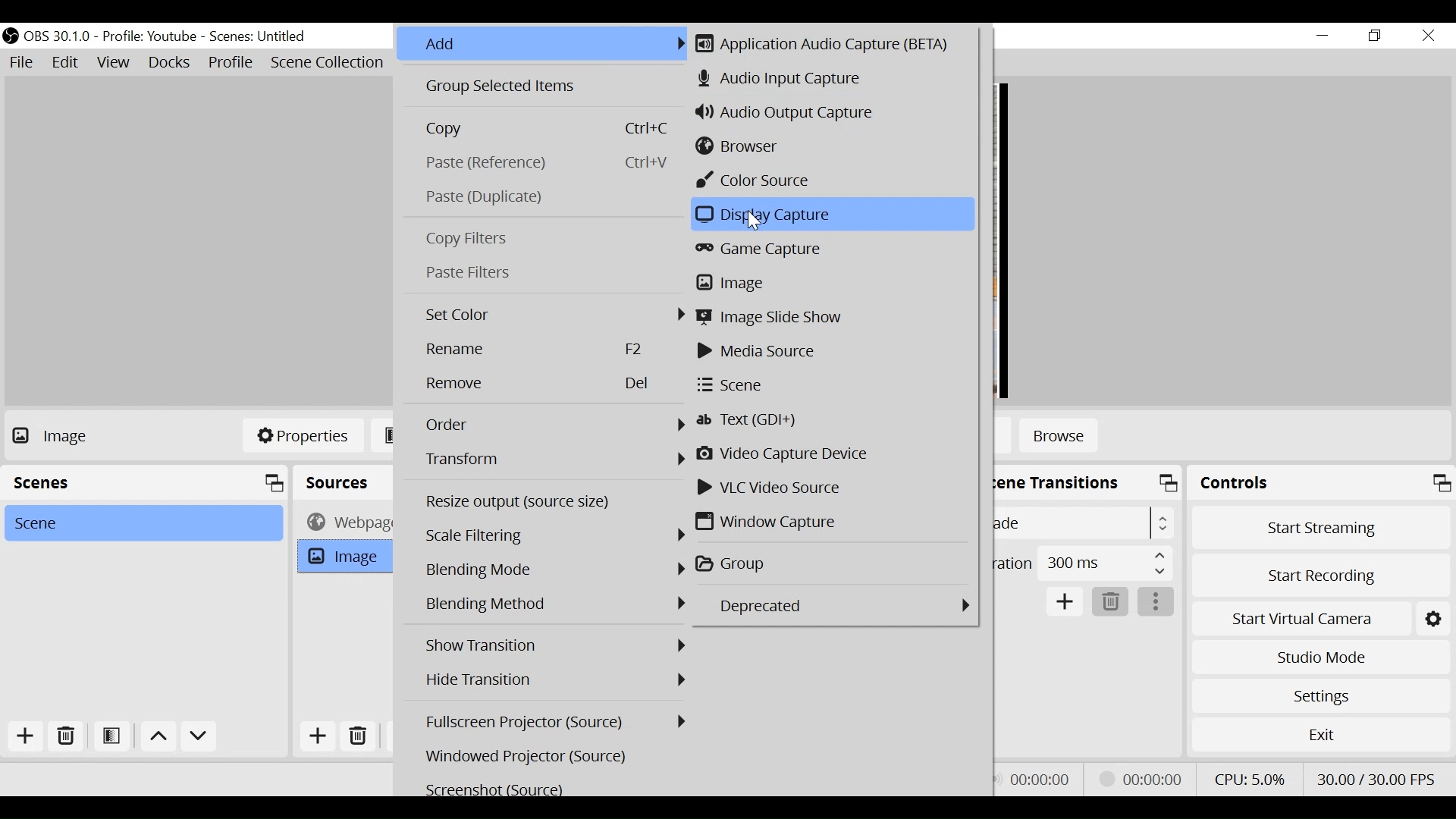 The width and height of the screenshot is (1456, 819). I want to click on Video Capture Device, so click(832, 453).